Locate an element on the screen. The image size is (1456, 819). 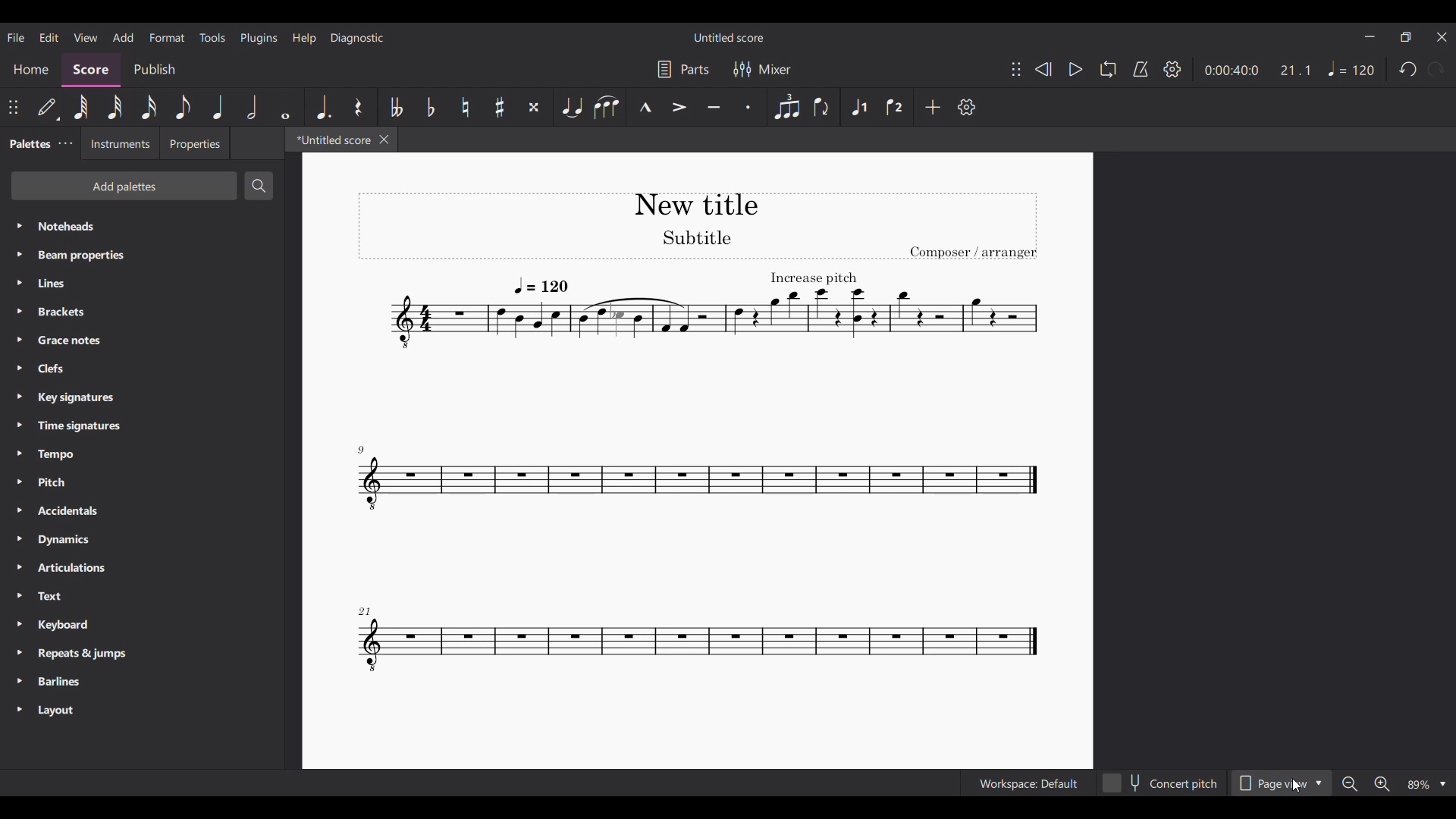
Flip direction is located at coordinates (824, 107).